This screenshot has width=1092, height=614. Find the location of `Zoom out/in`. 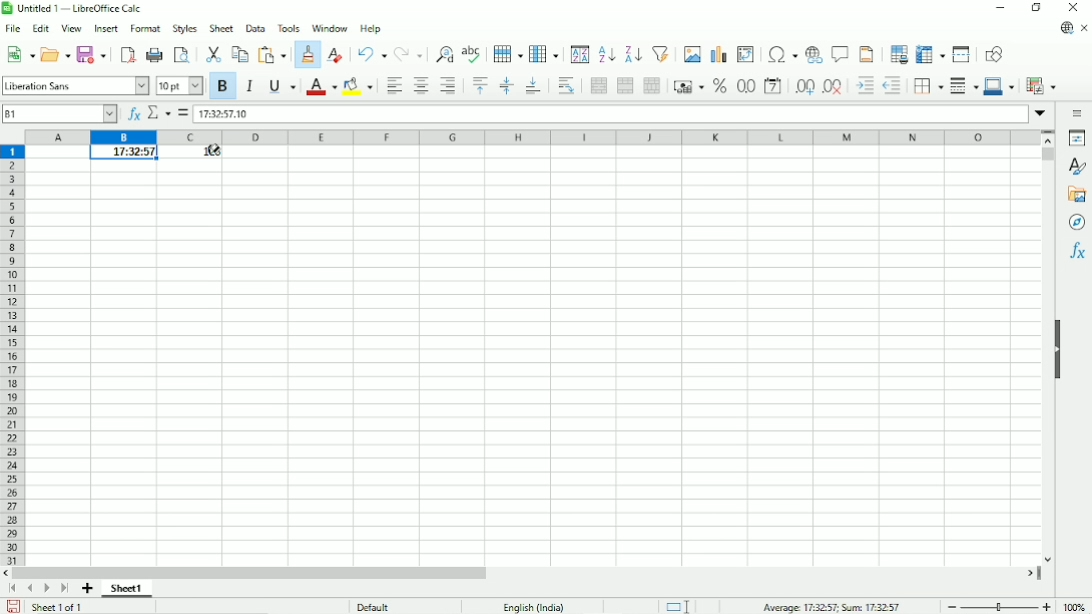

Zoom out/in is located at coordinates (998, 605).